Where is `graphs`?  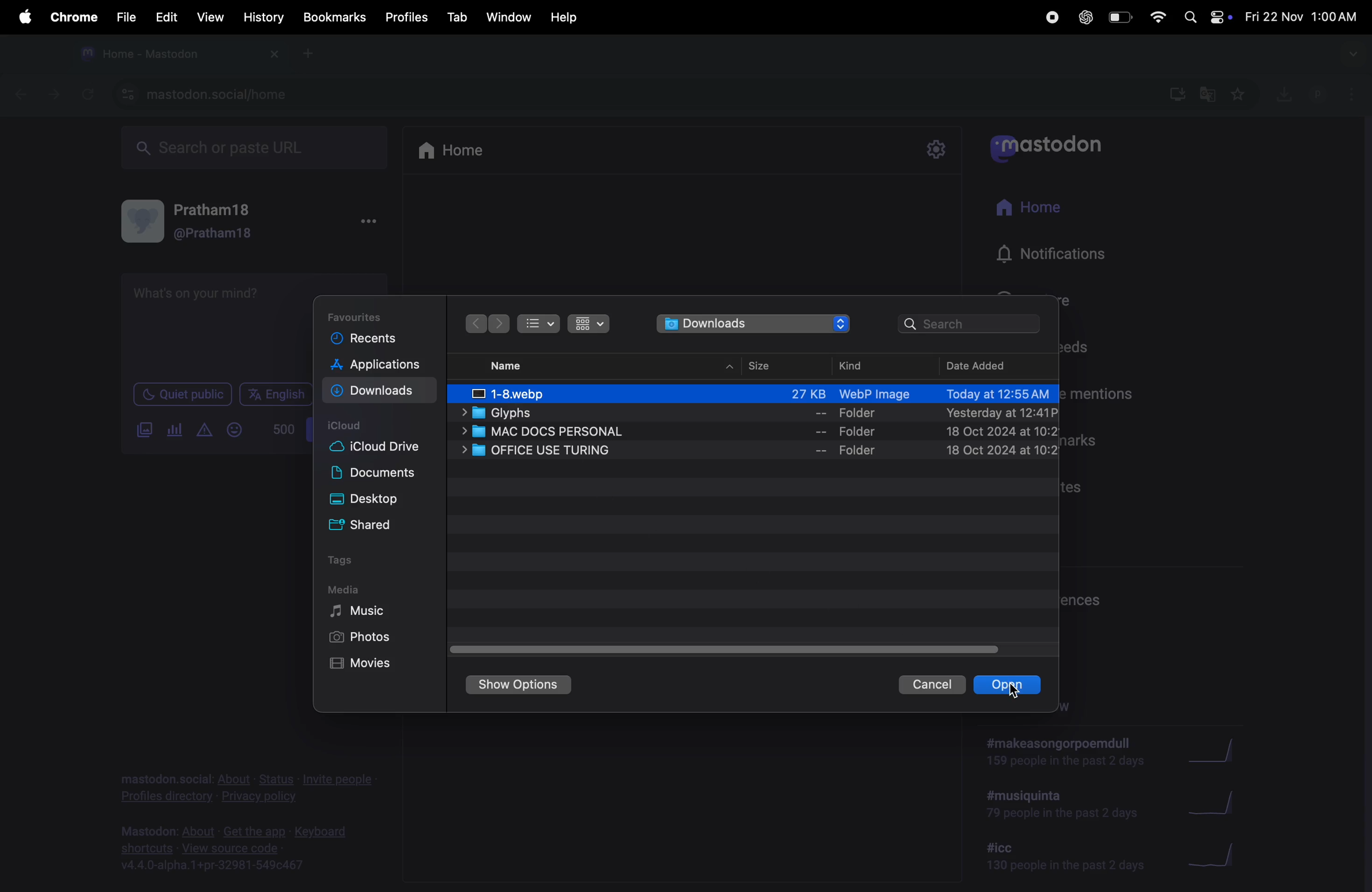 graphs is located at coordinates (1223, 803).